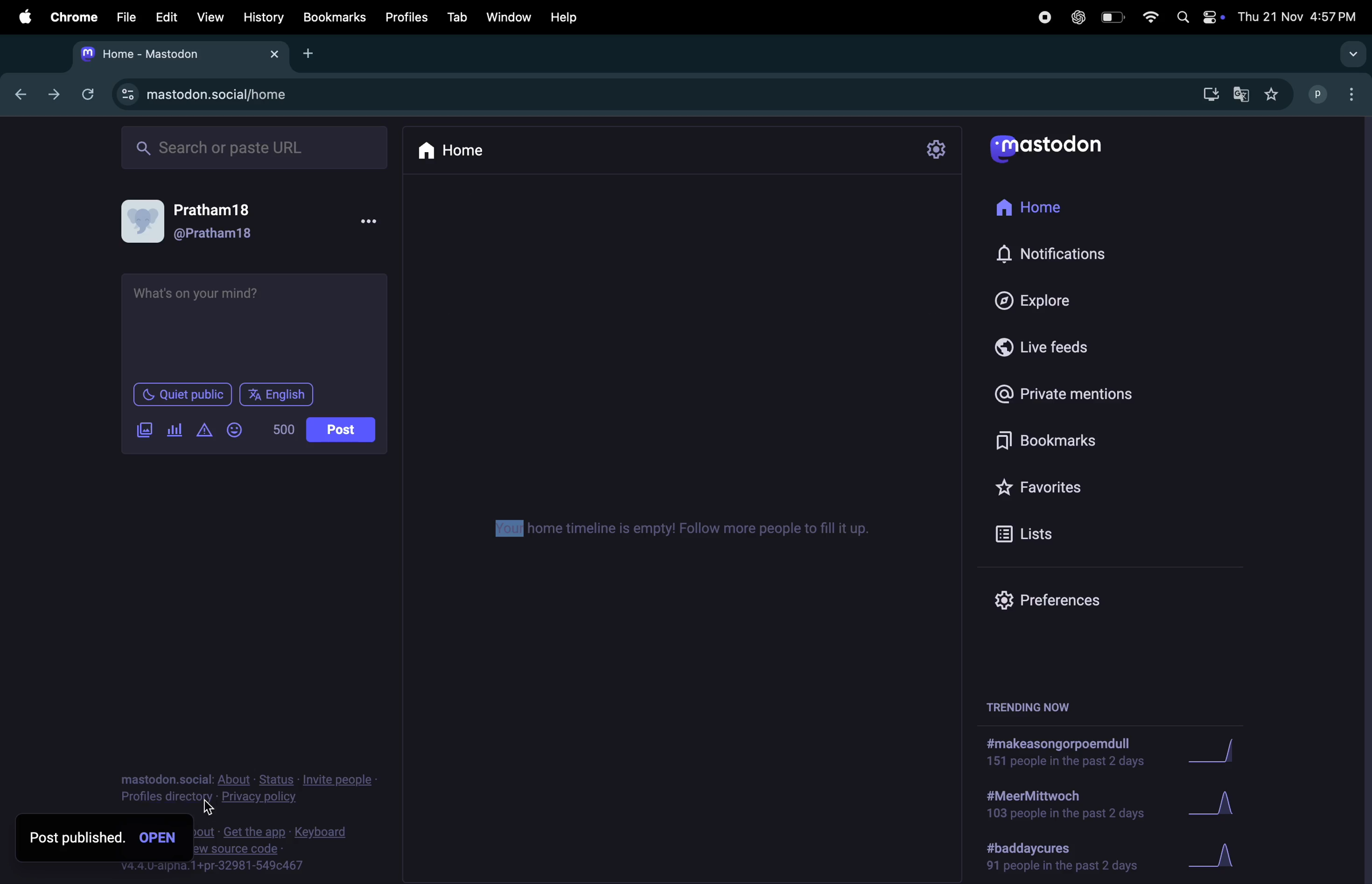  What do you see at coordinates (1213, 804) in the screenshot?
I see `graph` at bounding box center [1213, 804].